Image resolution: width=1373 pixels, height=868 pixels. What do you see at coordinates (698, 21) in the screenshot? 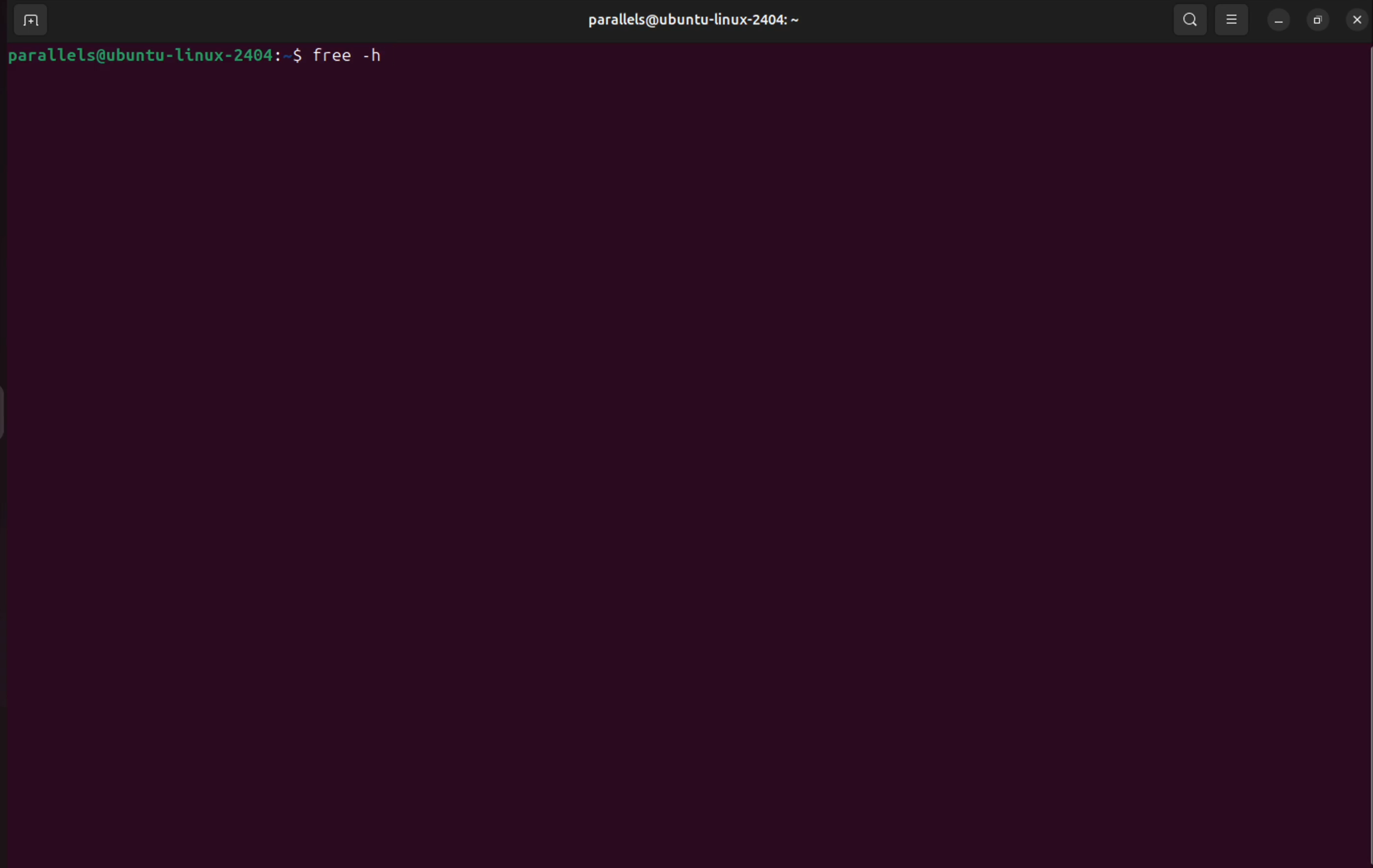
I see `parallels@ubuntu-linux-2404: ~` at bounding box center [698, 21].